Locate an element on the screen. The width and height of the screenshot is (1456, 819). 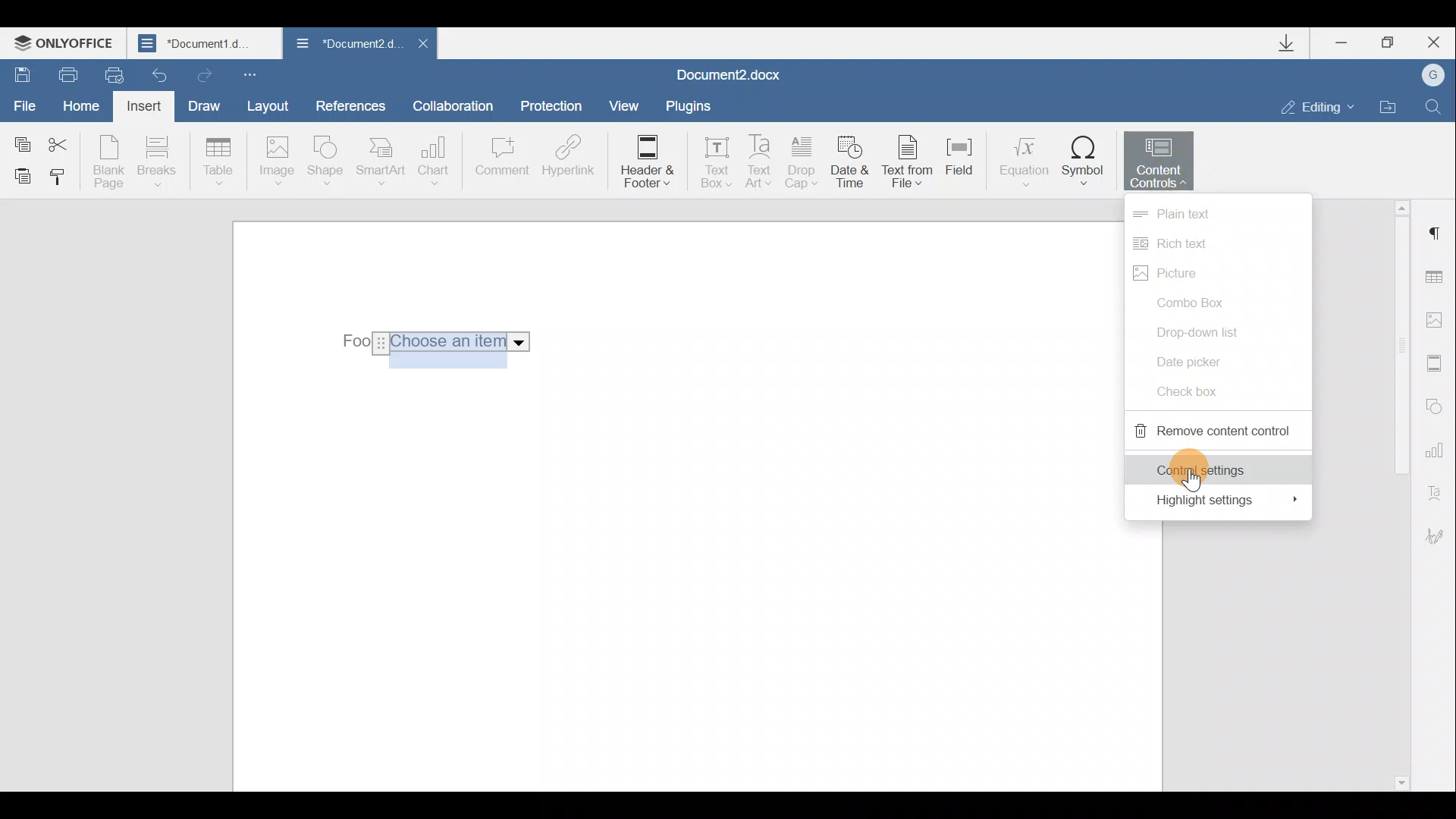
Home is located at coordinates (86, 108).